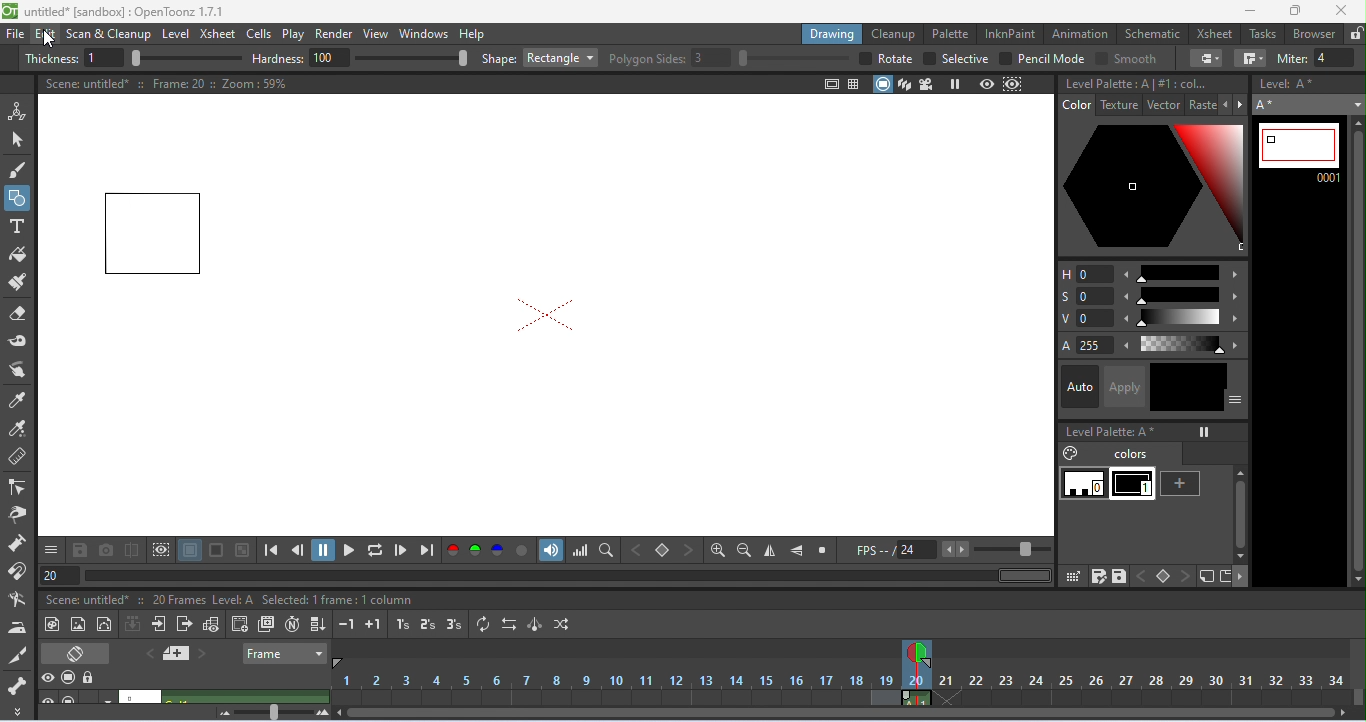 This screenshot has height=722, width=1366. What do you see at coordinates (59, 573) in the screenshot?
I see `frame` at bounding box center [59, 573].